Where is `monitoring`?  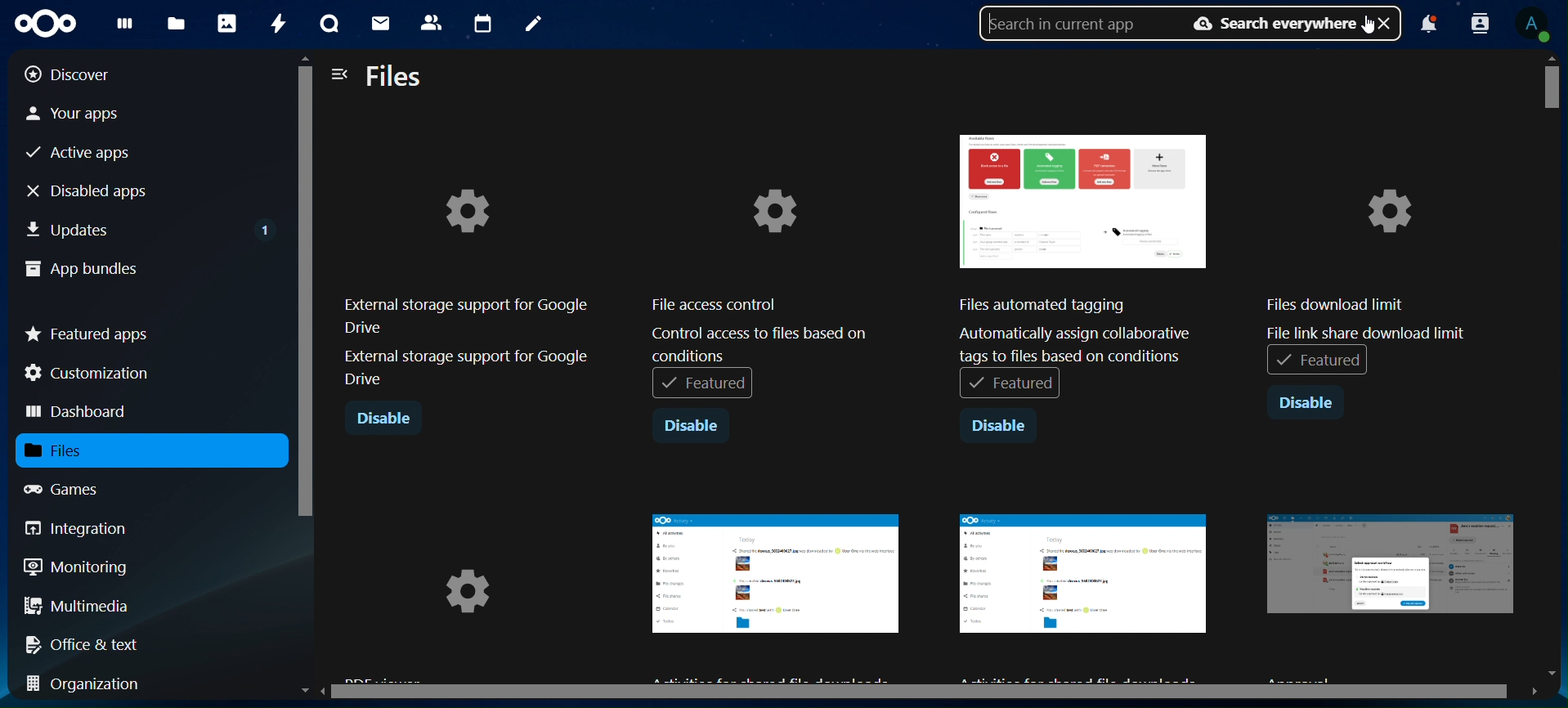 monitoring is located at coordinates (77, 566).